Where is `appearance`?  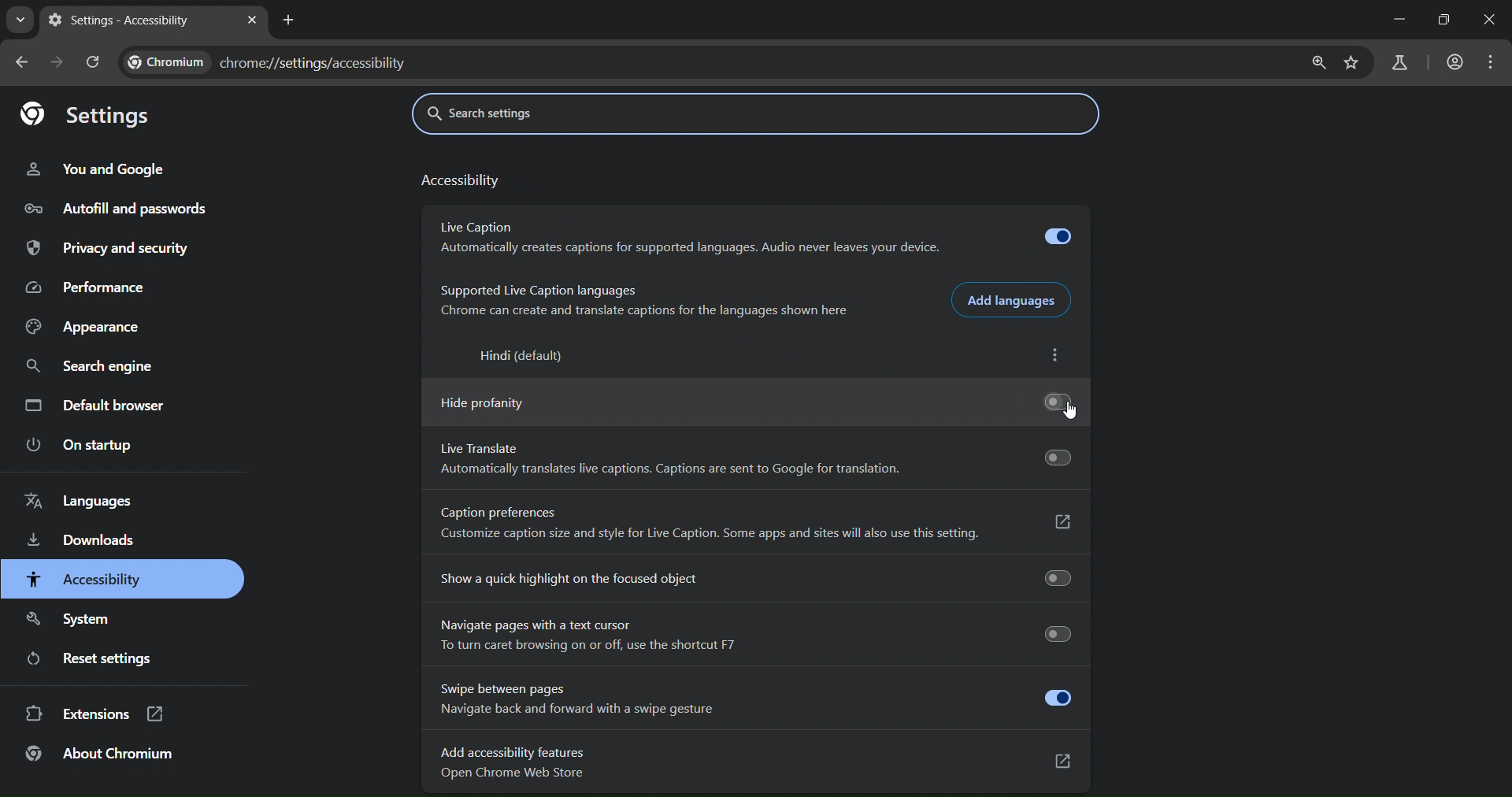 appearance is located at coordinates (86, 329).